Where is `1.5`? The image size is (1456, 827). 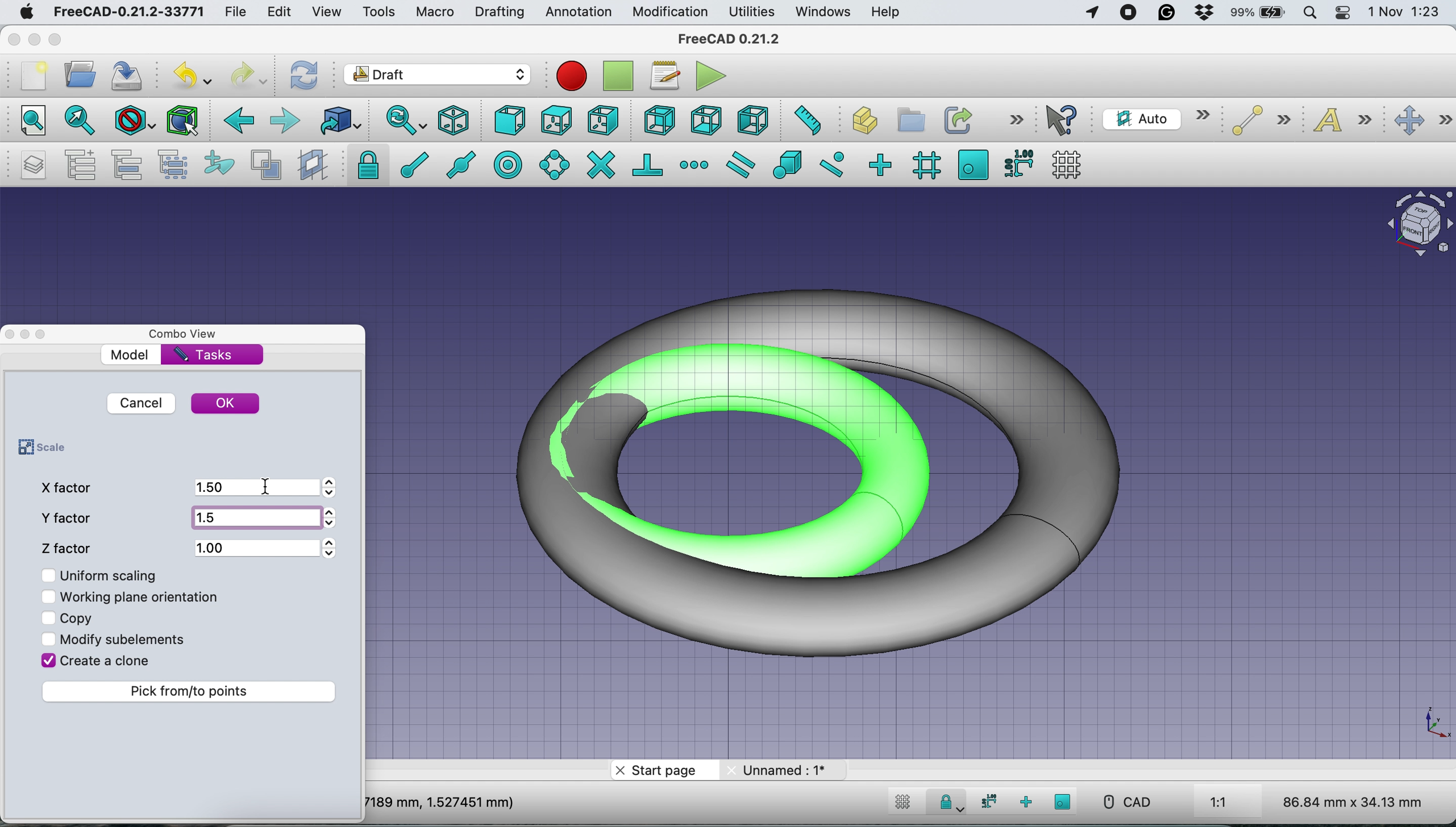
1.5 is located at coordinates (253, 517).